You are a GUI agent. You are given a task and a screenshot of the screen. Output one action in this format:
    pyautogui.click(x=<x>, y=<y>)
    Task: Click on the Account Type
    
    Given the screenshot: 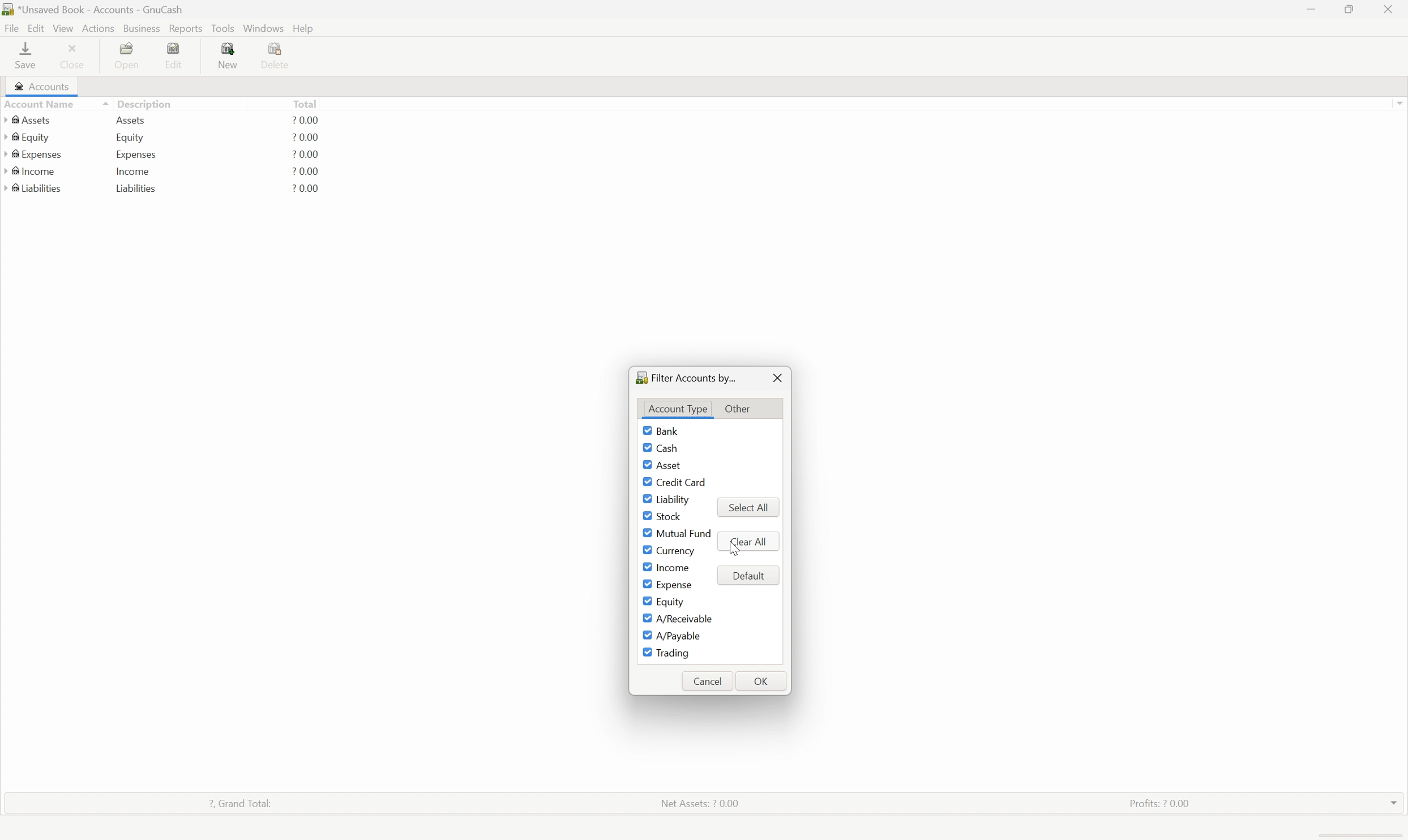 What is the action you would take?
    pyautogui.click(x=679, y=408)
    